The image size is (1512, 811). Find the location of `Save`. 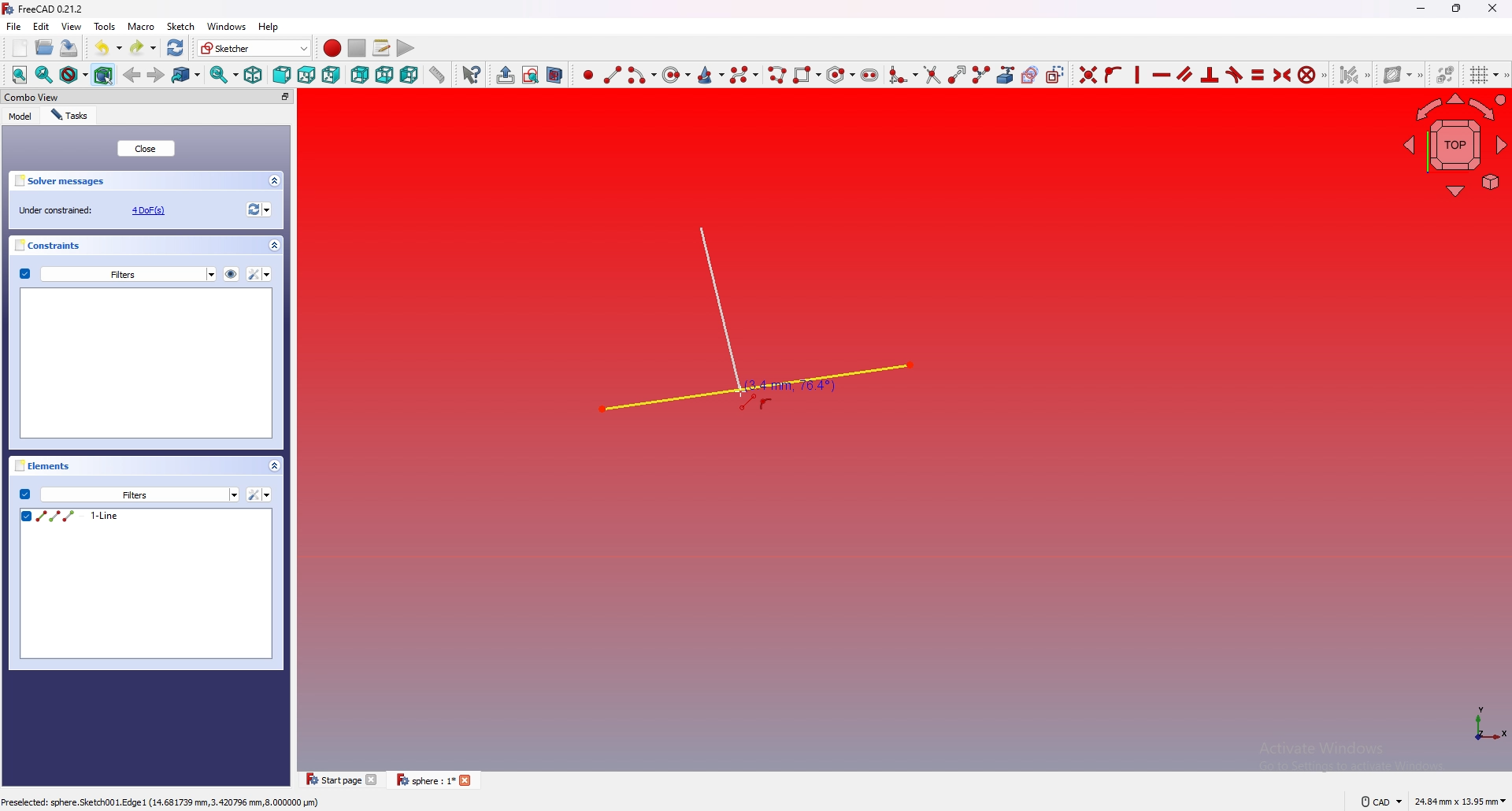

Save is located at coordinates (69, 48).